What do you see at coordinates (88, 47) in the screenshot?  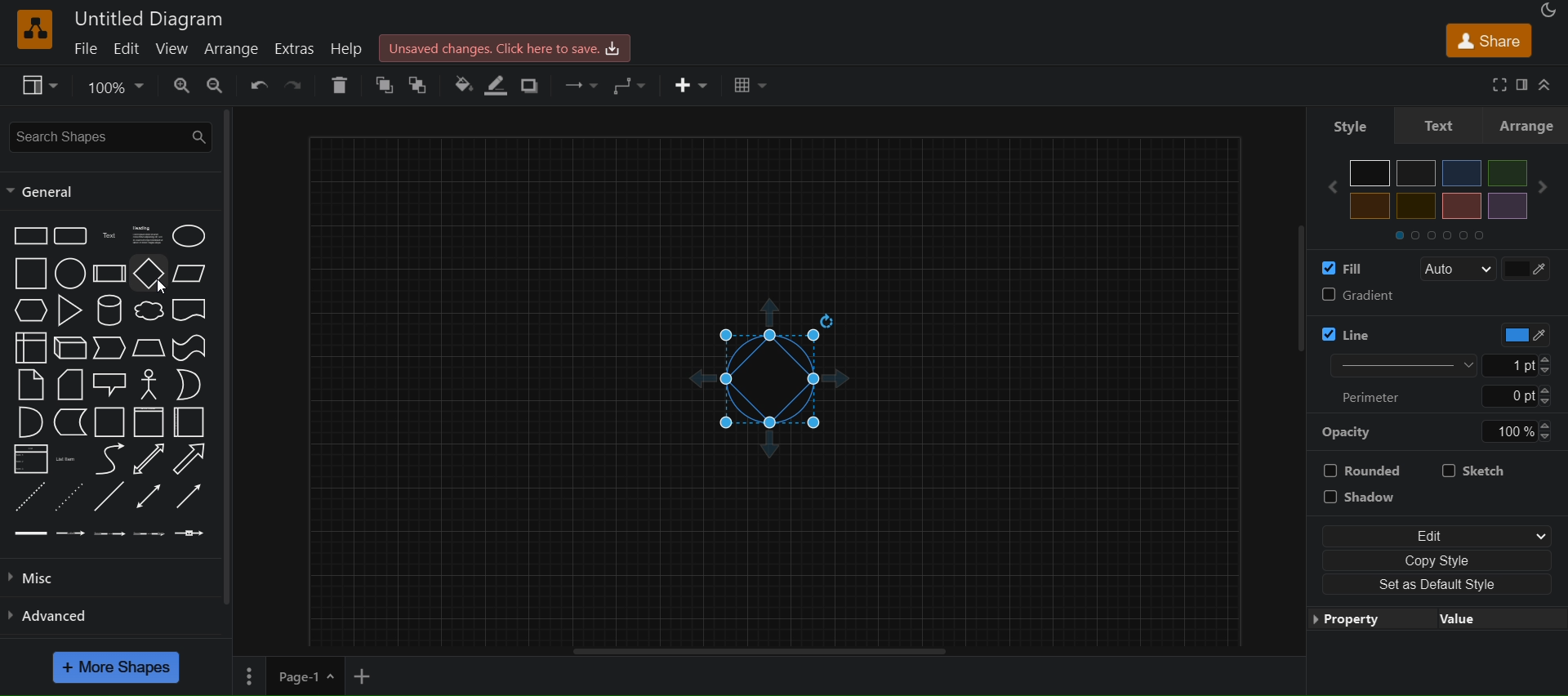 I see `file` at bounding box center [88, 47].